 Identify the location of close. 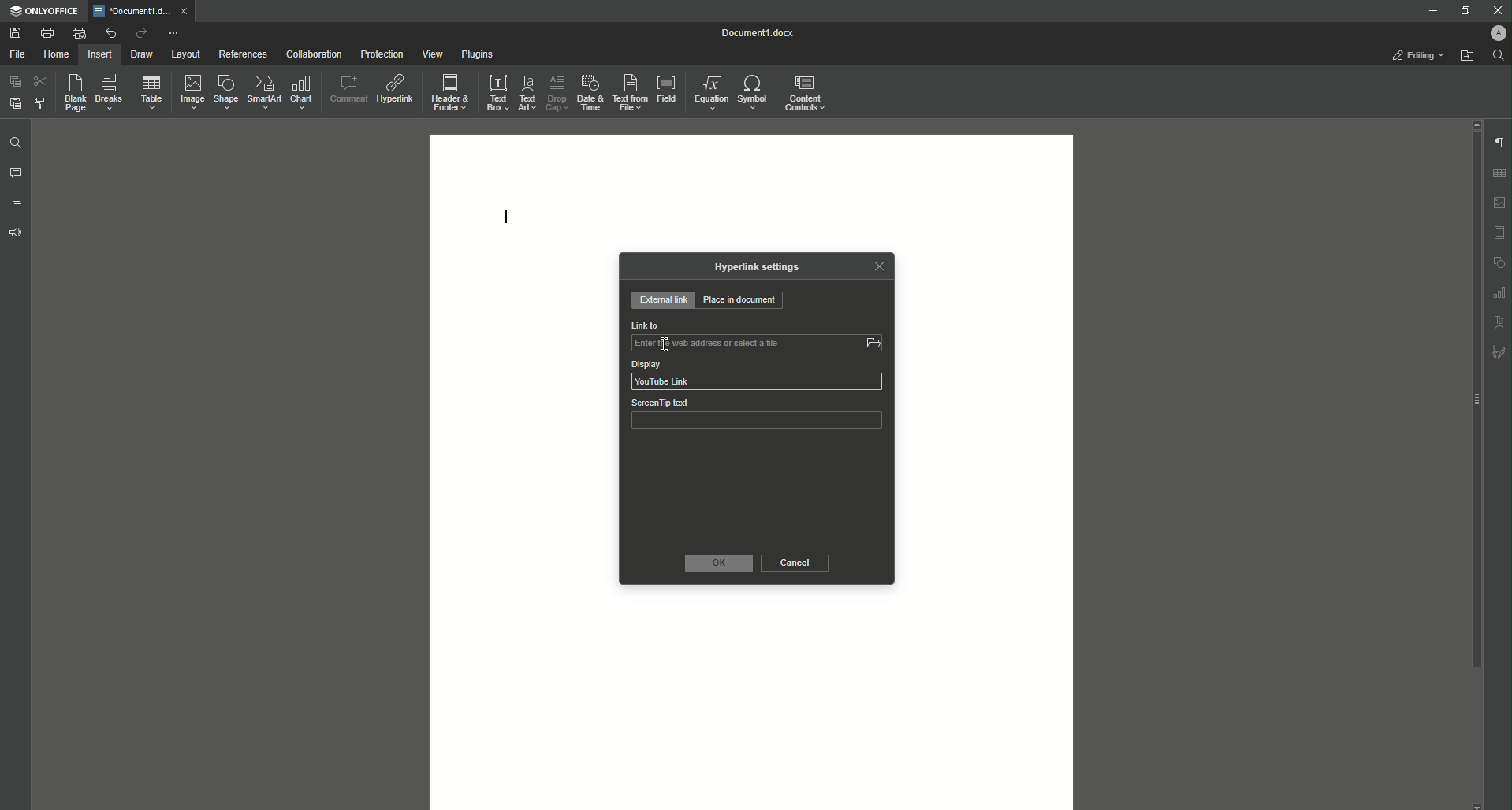
(185, 10).